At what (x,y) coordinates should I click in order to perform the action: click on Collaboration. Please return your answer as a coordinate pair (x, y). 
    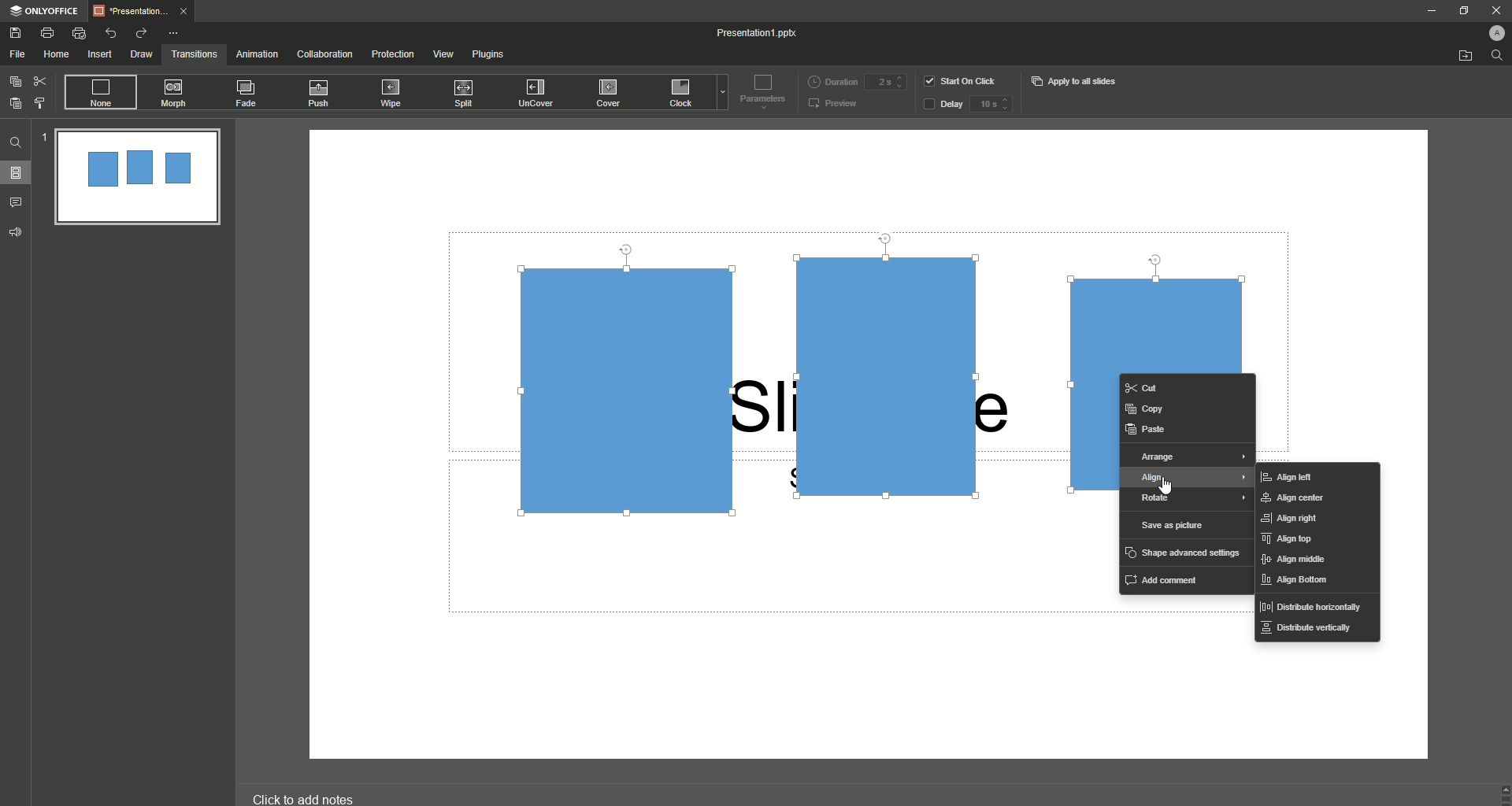
    Looking at the image, I should click on (325, 55).